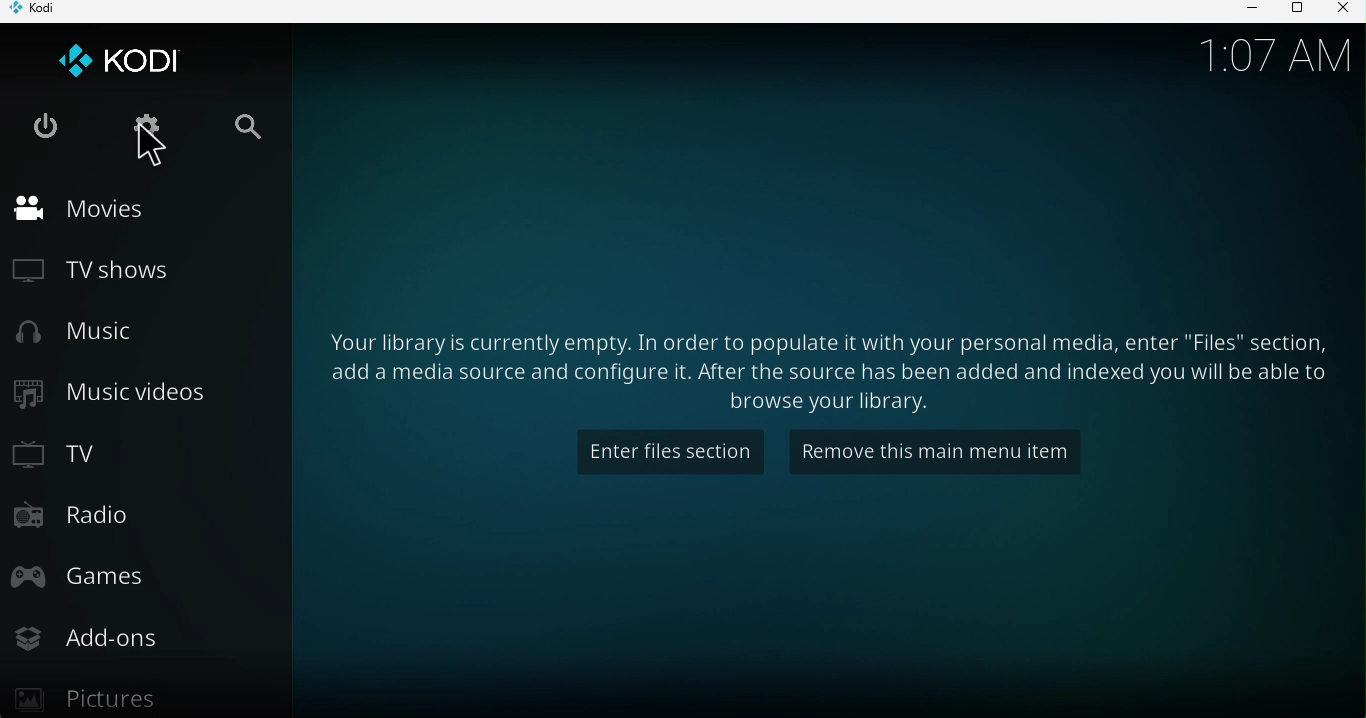 The width and height of the screenshot is (1366, 718). What do you see at coordinates (142, 56) in the screenshot?
I see `Kodi icon` at bounding box center [142, 56].